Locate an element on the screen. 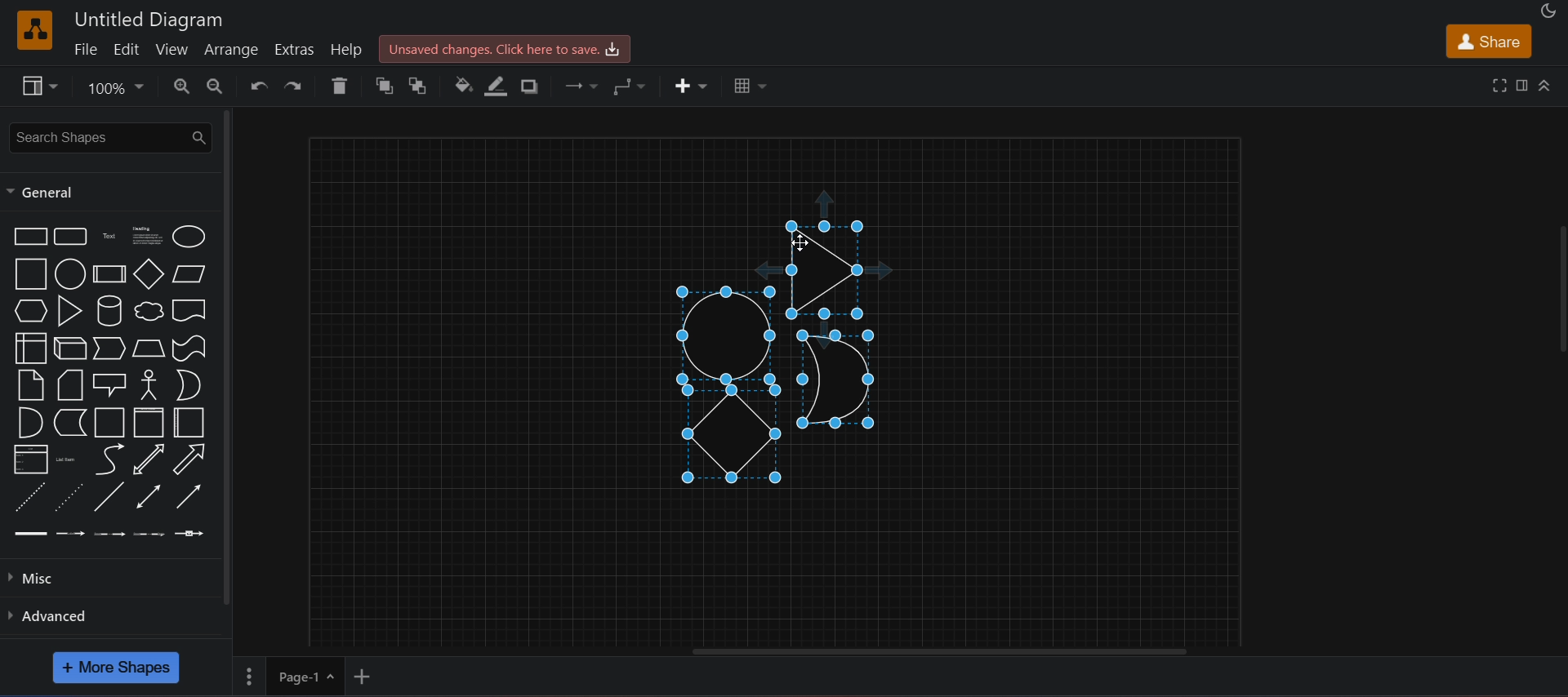 This screenshot has width=1568, height=697. callout is located at coordinates (109, 383).